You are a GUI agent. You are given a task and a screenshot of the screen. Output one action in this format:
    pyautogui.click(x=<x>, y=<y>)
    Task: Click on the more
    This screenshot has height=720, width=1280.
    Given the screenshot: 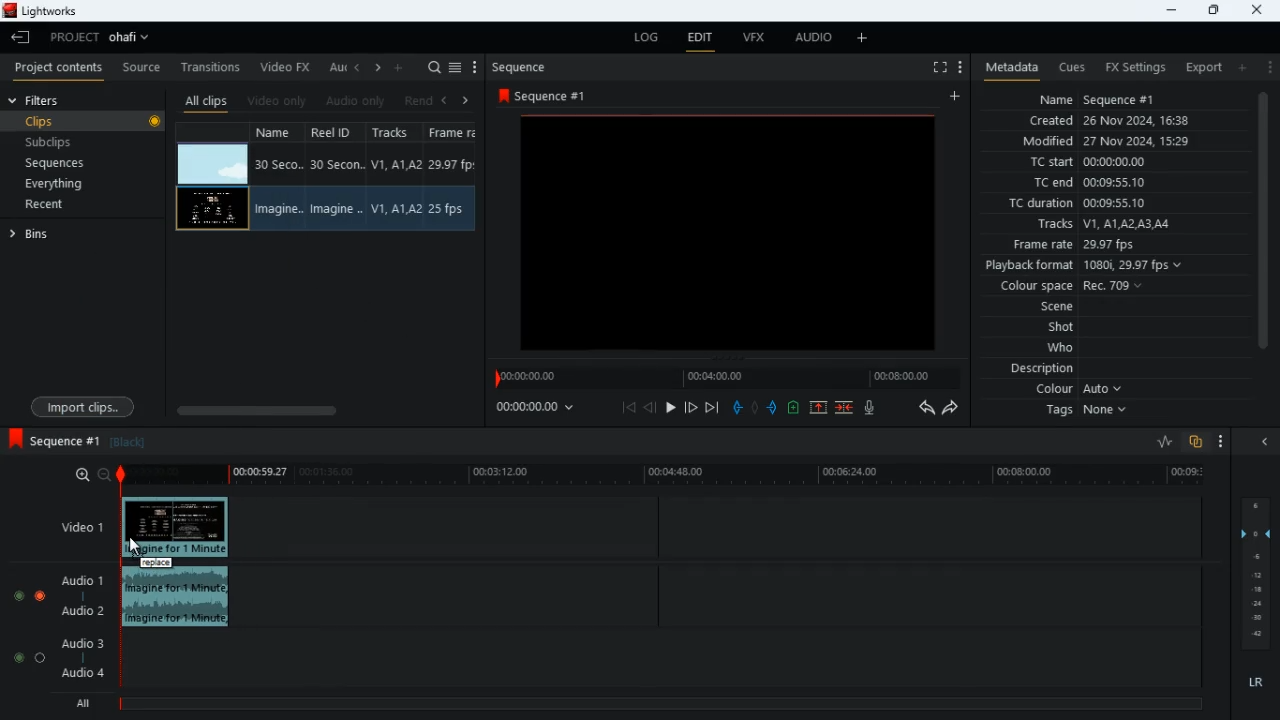 What is the action you would take?
    pyautogui.click(x=1268, y=66)
    